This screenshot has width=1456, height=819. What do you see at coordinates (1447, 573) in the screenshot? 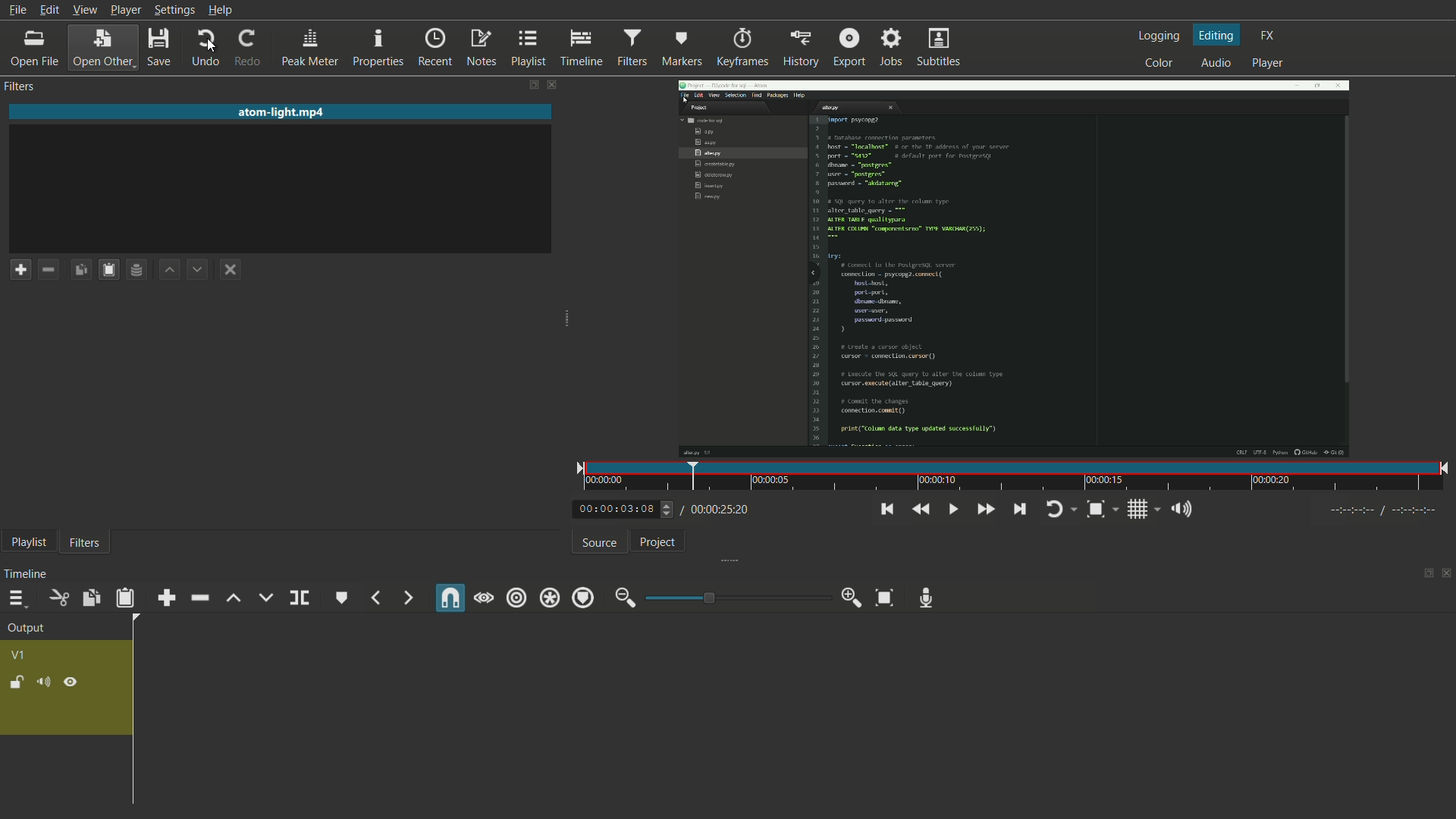
I see `close timeline pane` at bounding box center [1447, 573].